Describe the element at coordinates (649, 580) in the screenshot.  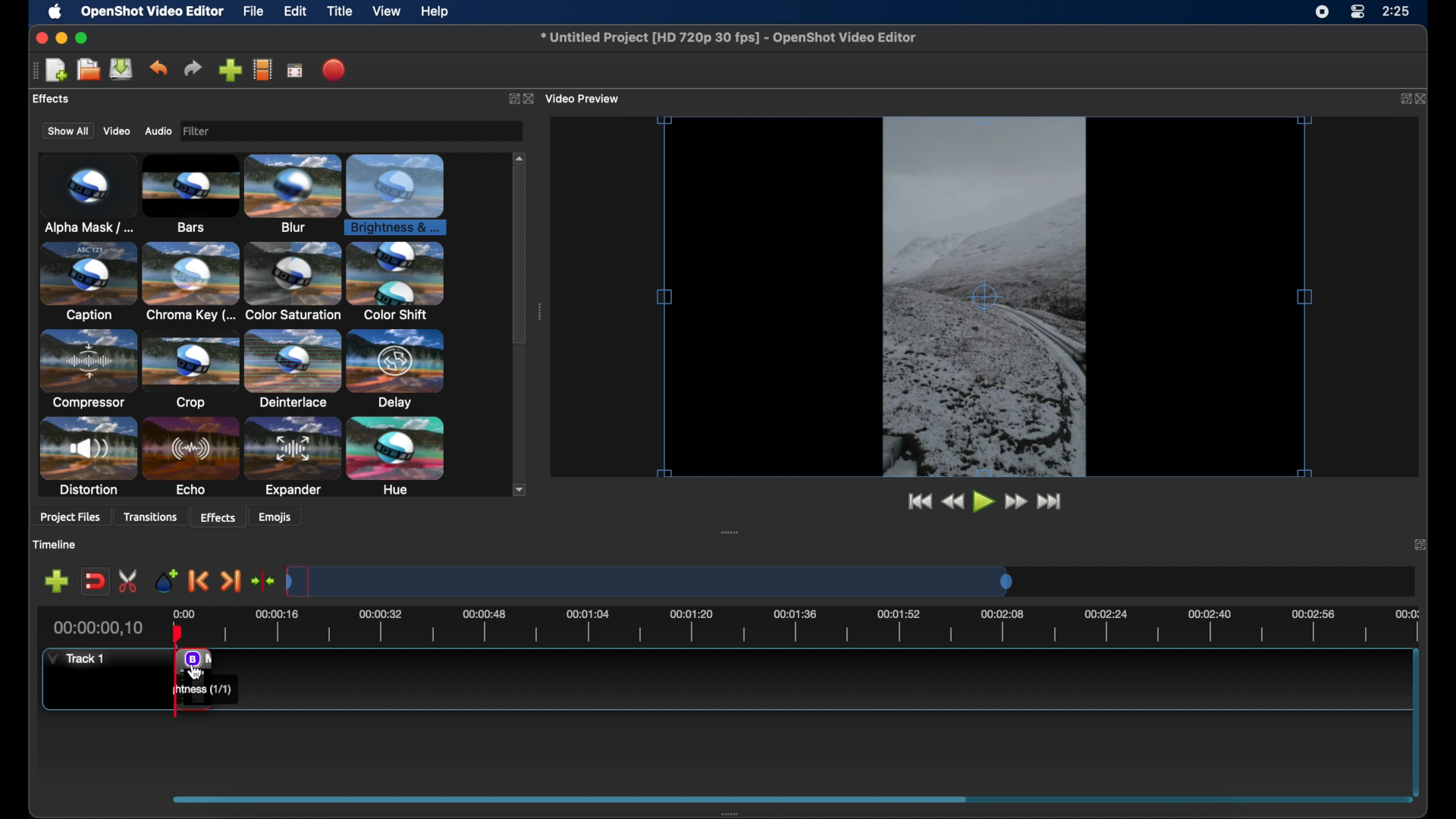
I see `timeline scale` at that location.